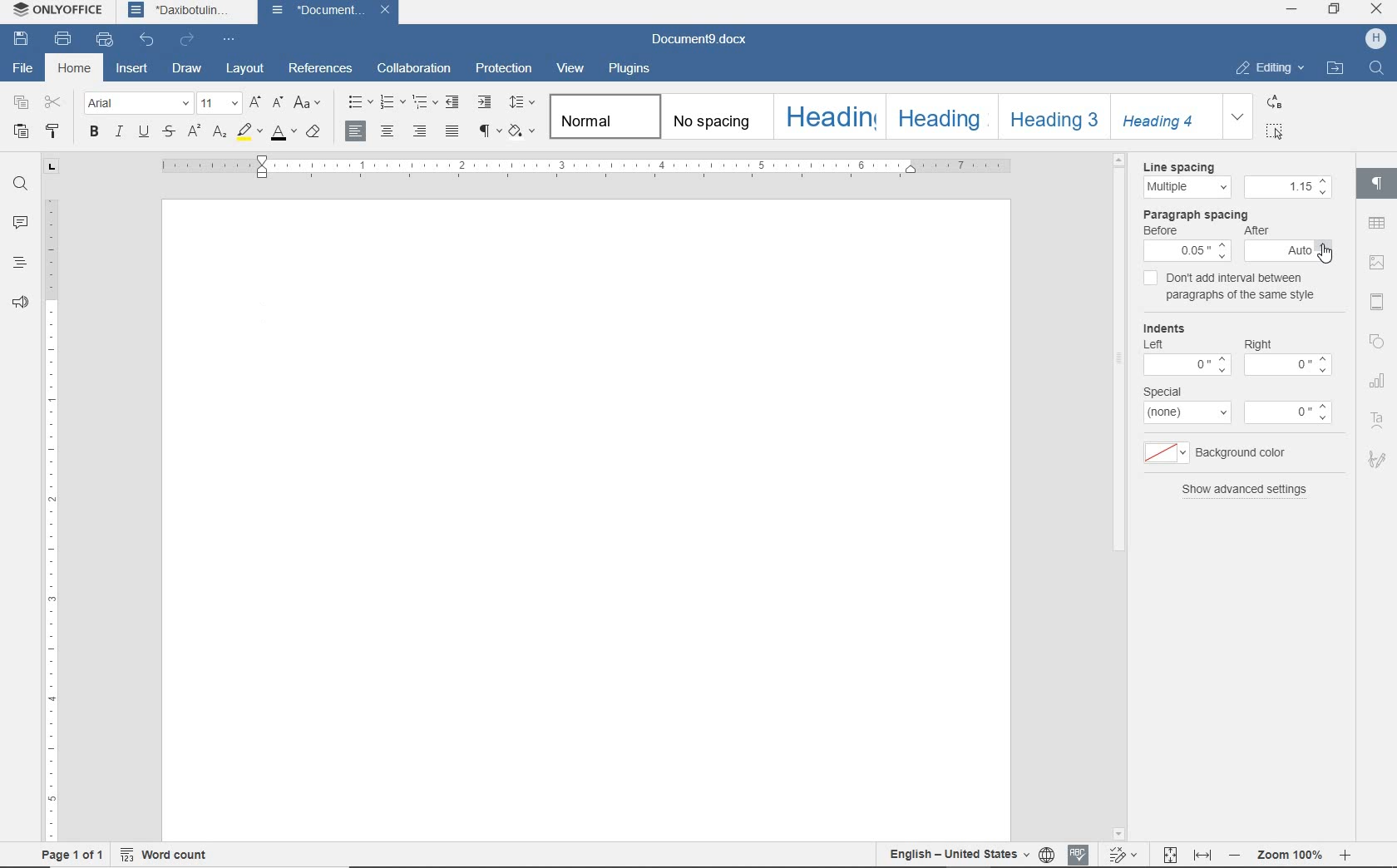 The width and height of the screenshot is (1397, 868). What do you see at coordinates (357, 132) in the screenshot?
I see `align left` at bounding box center [357, 132].